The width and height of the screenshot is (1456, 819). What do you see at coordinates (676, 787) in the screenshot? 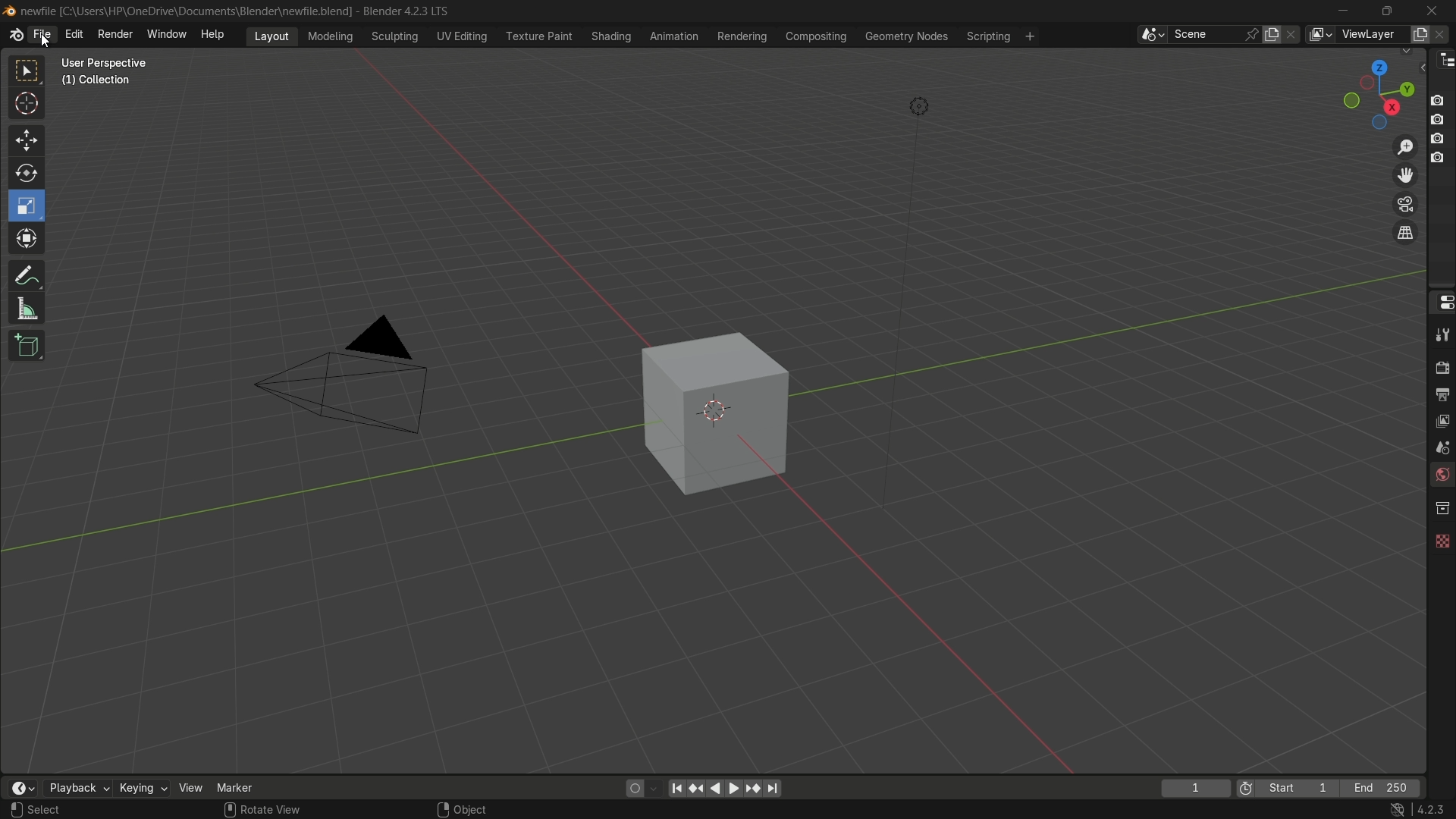
I see `jump to endpoint` at bounding box center [676, 787].